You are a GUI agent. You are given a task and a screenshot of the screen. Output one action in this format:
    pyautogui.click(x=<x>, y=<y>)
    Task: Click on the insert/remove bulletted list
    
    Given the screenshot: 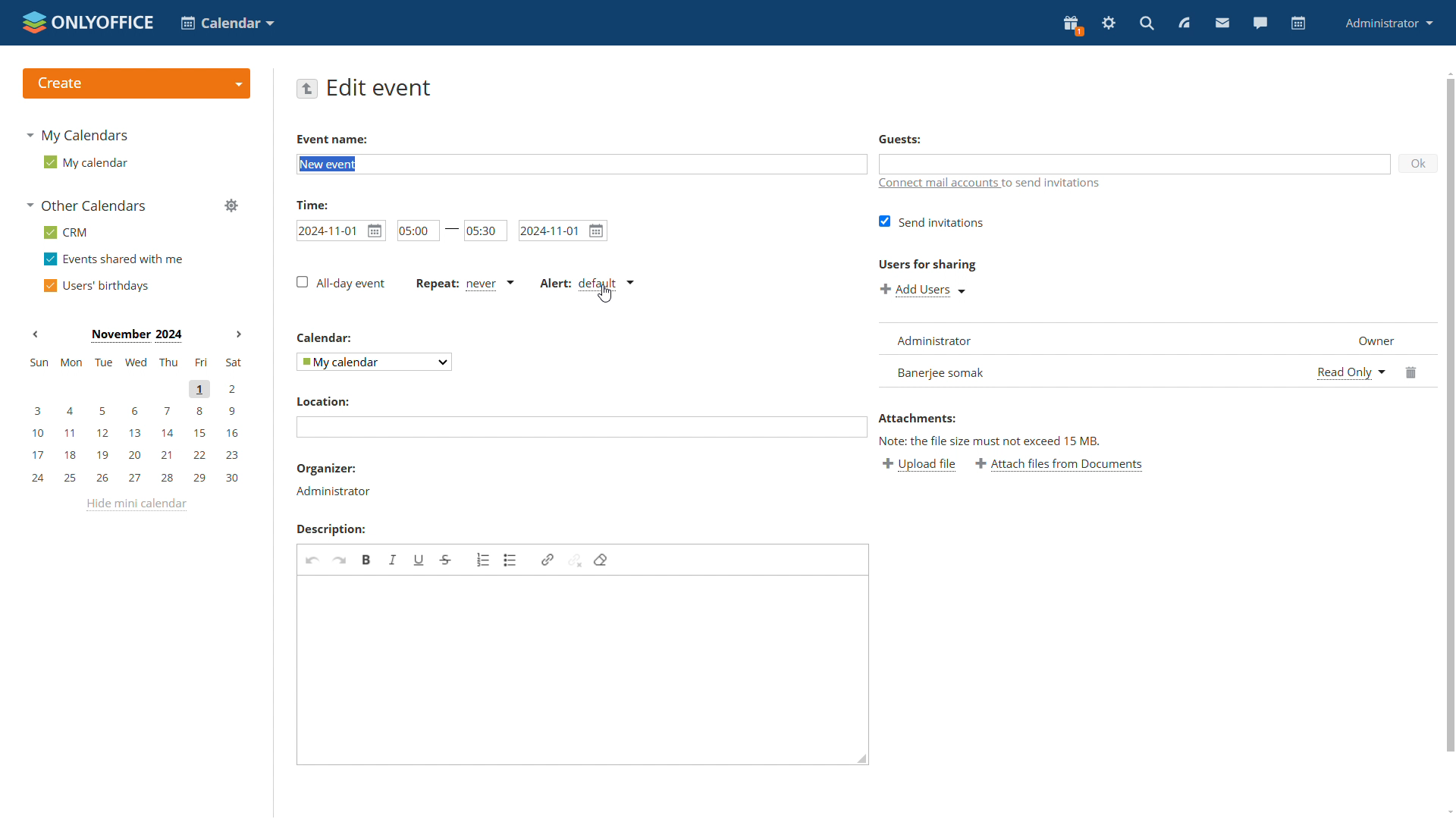 What is the action you would take?
    pyautogui.click(x=512, y=560)
    